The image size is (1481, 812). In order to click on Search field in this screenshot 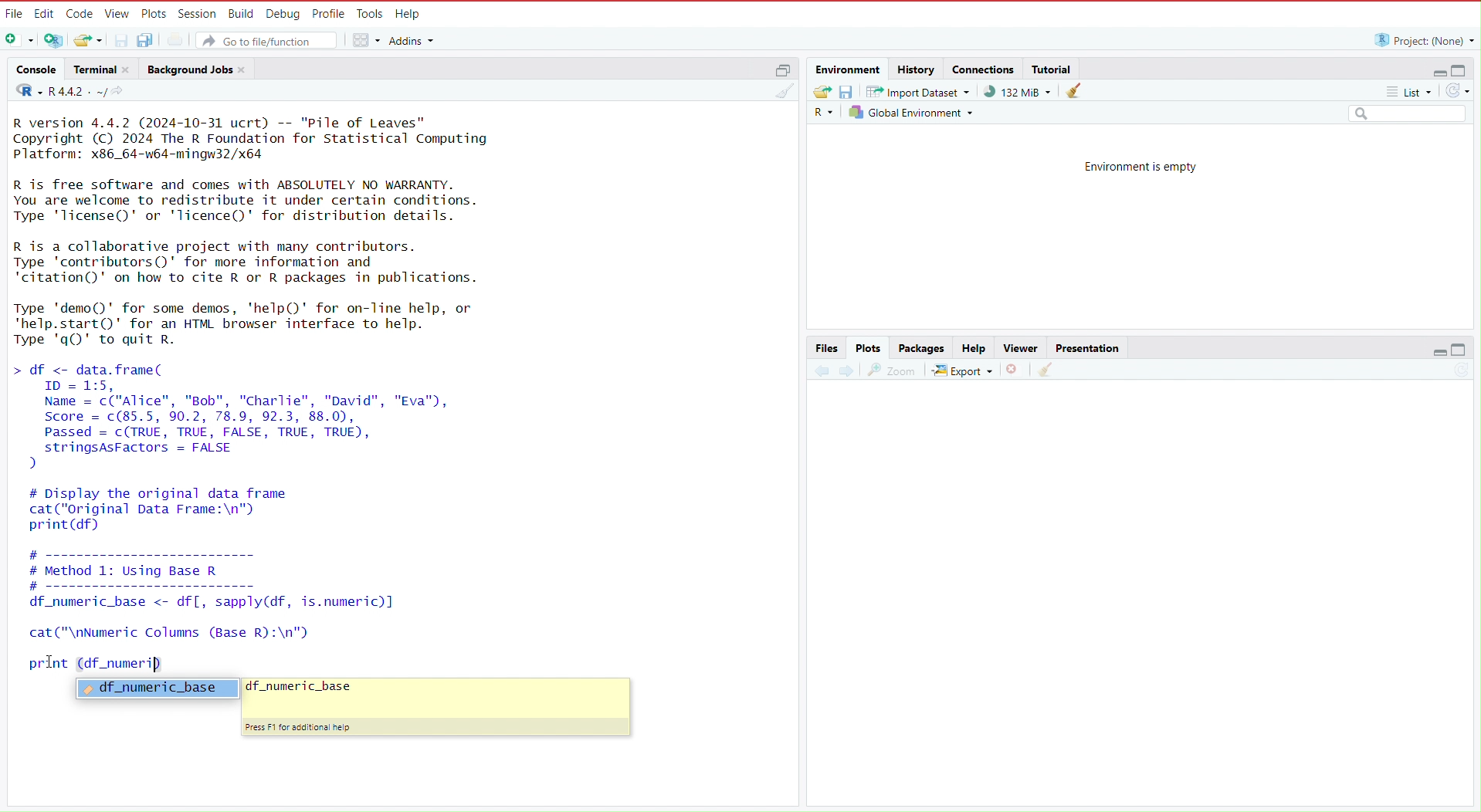, I will do `click(1409, 112)`.